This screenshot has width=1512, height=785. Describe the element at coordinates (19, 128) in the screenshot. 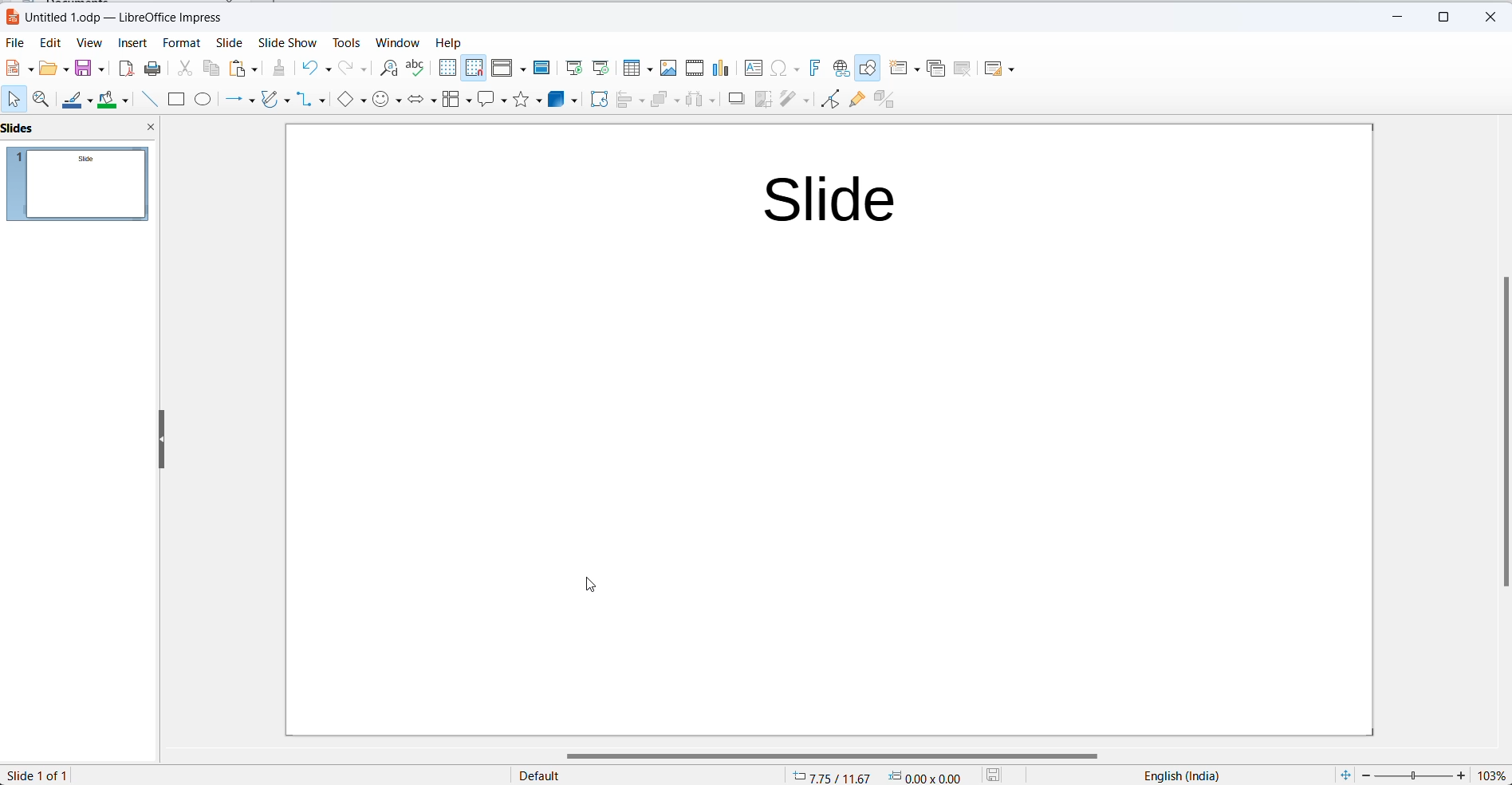

I see `slides` at that location.